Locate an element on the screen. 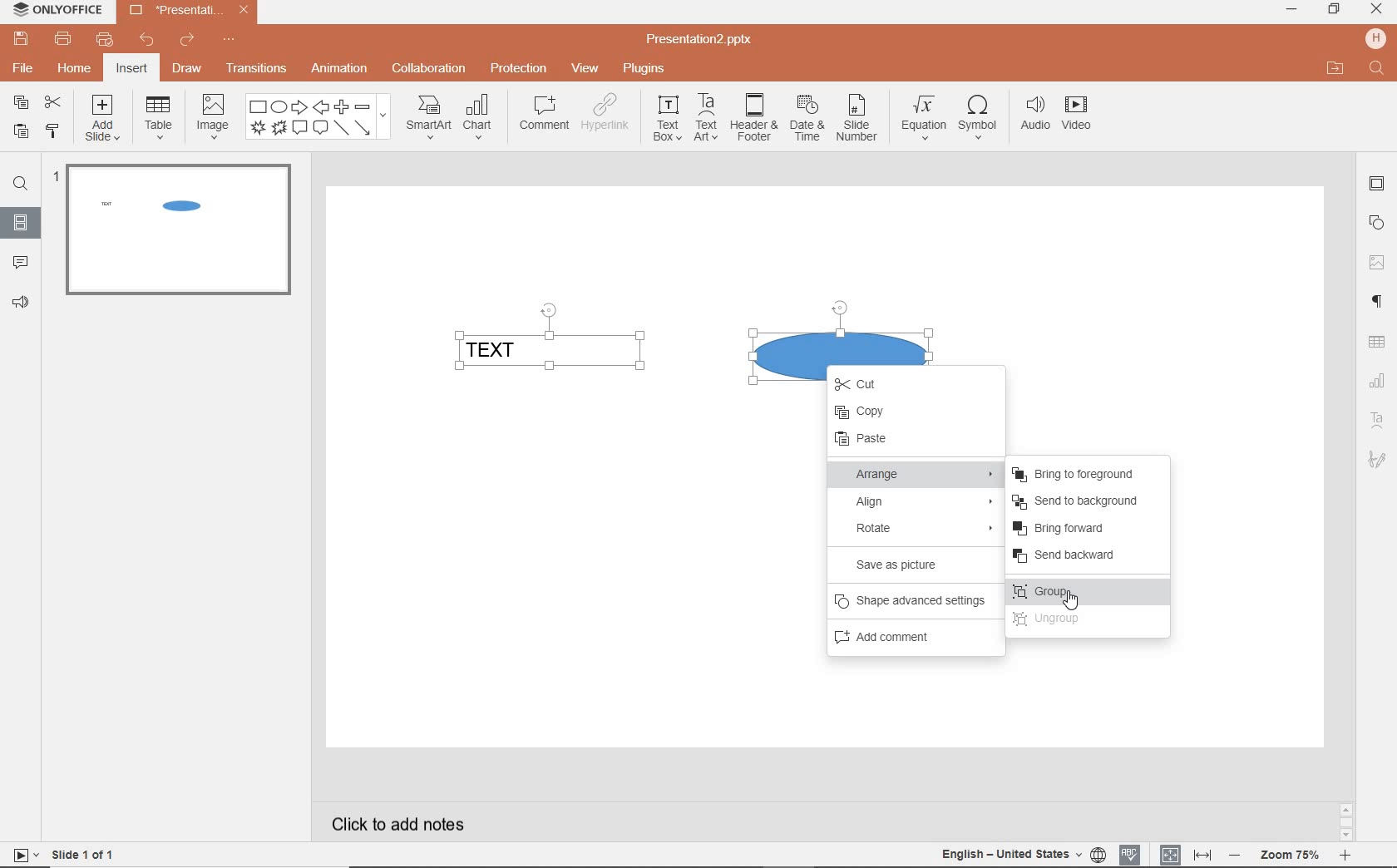 The width and height of the screenshot is (1397, 868). BRING TO FOREGROUND is located at coordinates (1082, 474).